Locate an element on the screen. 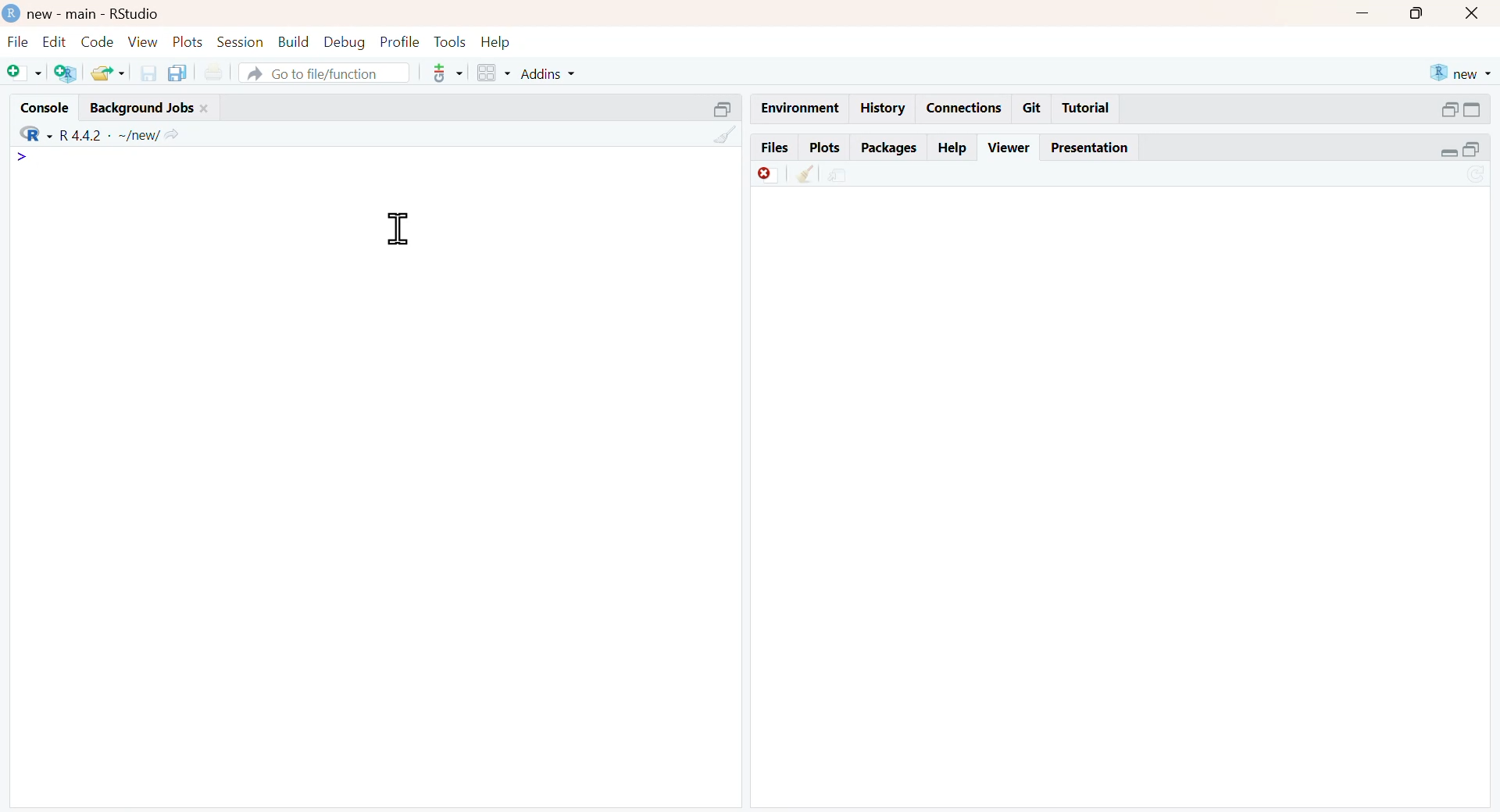  Background Jobs is located at coordinates (163, 105).